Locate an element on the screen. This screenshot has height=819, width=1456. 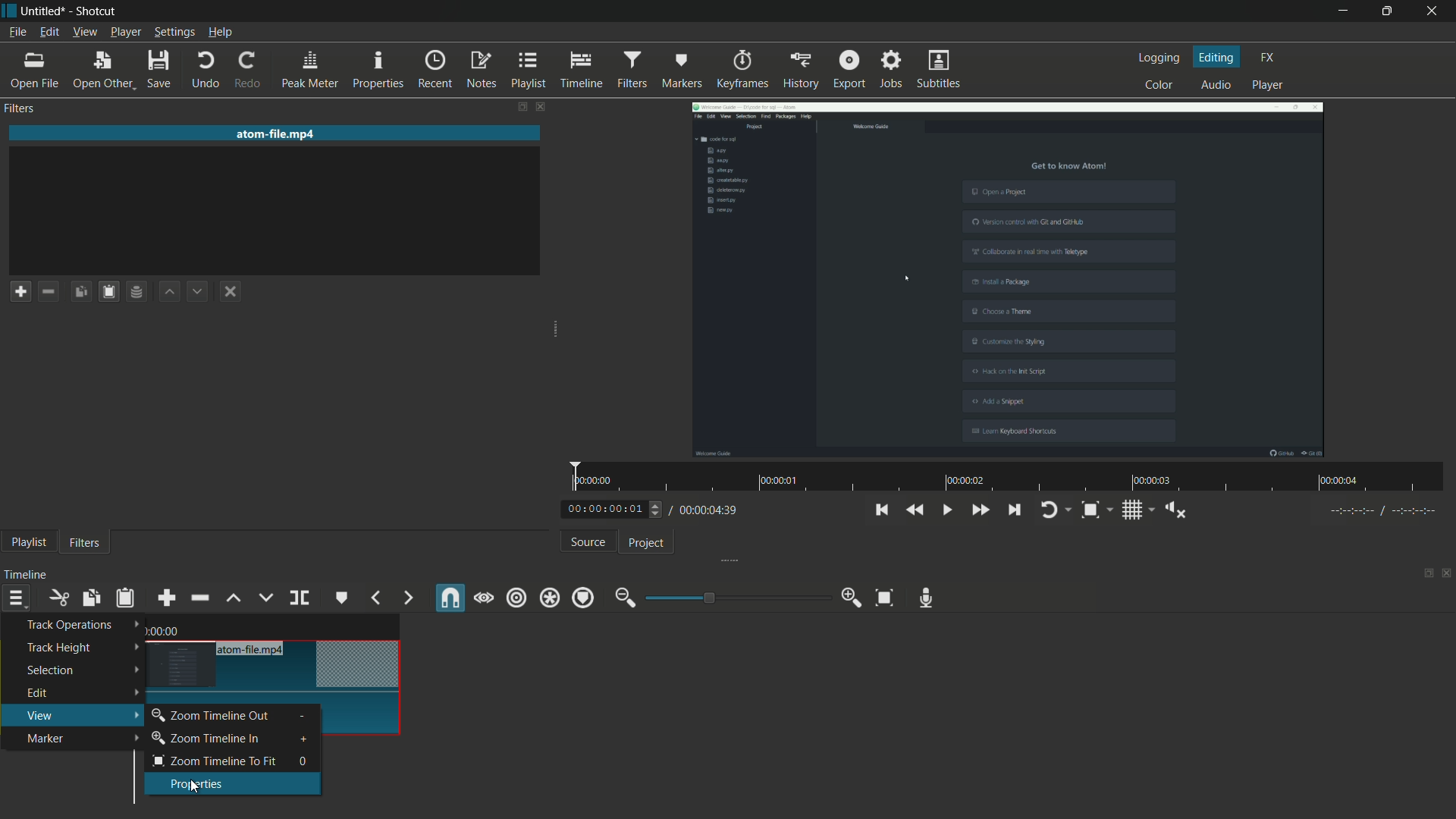
cut is located at coordinates (58, 598).